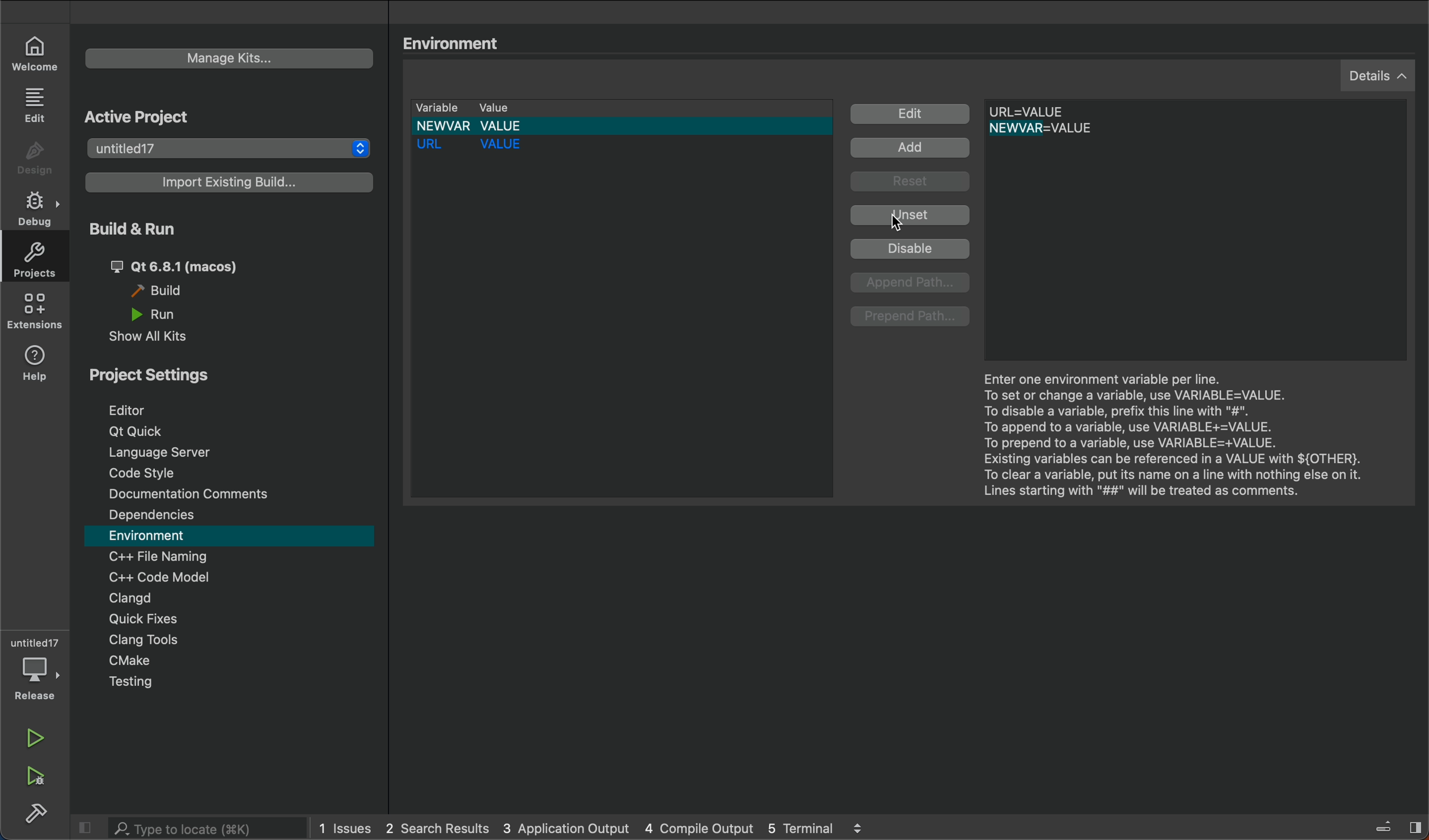 Image resolution: width=1429 pixels, height=840 pixels. What do you see at coordinates (1393, 826) in the screenshot?
I see `sidebar toggle` at bounding box center [1393, 826].